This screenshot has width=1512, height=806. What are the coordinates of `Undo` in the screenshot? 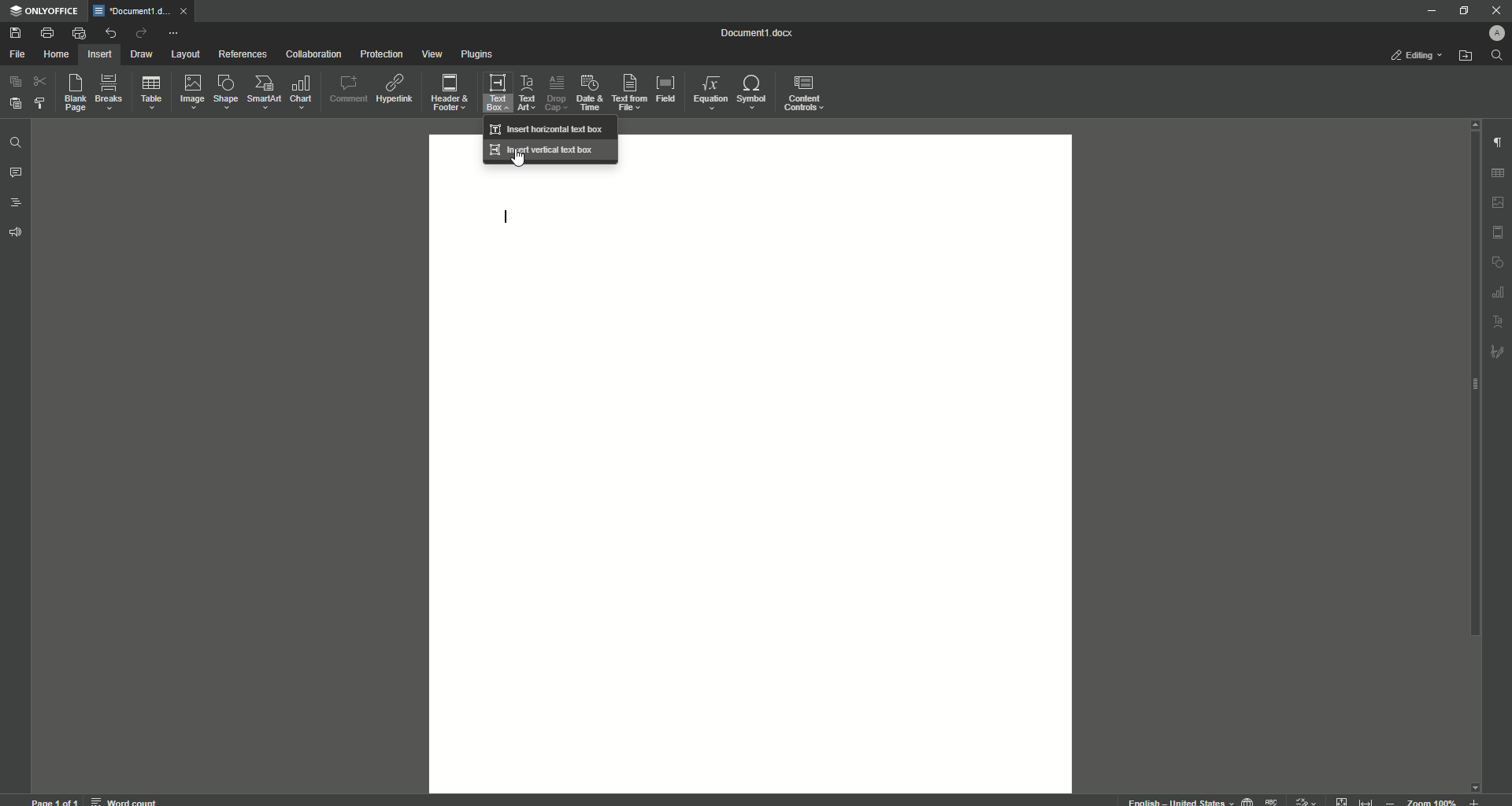 It's located at (109, 33).